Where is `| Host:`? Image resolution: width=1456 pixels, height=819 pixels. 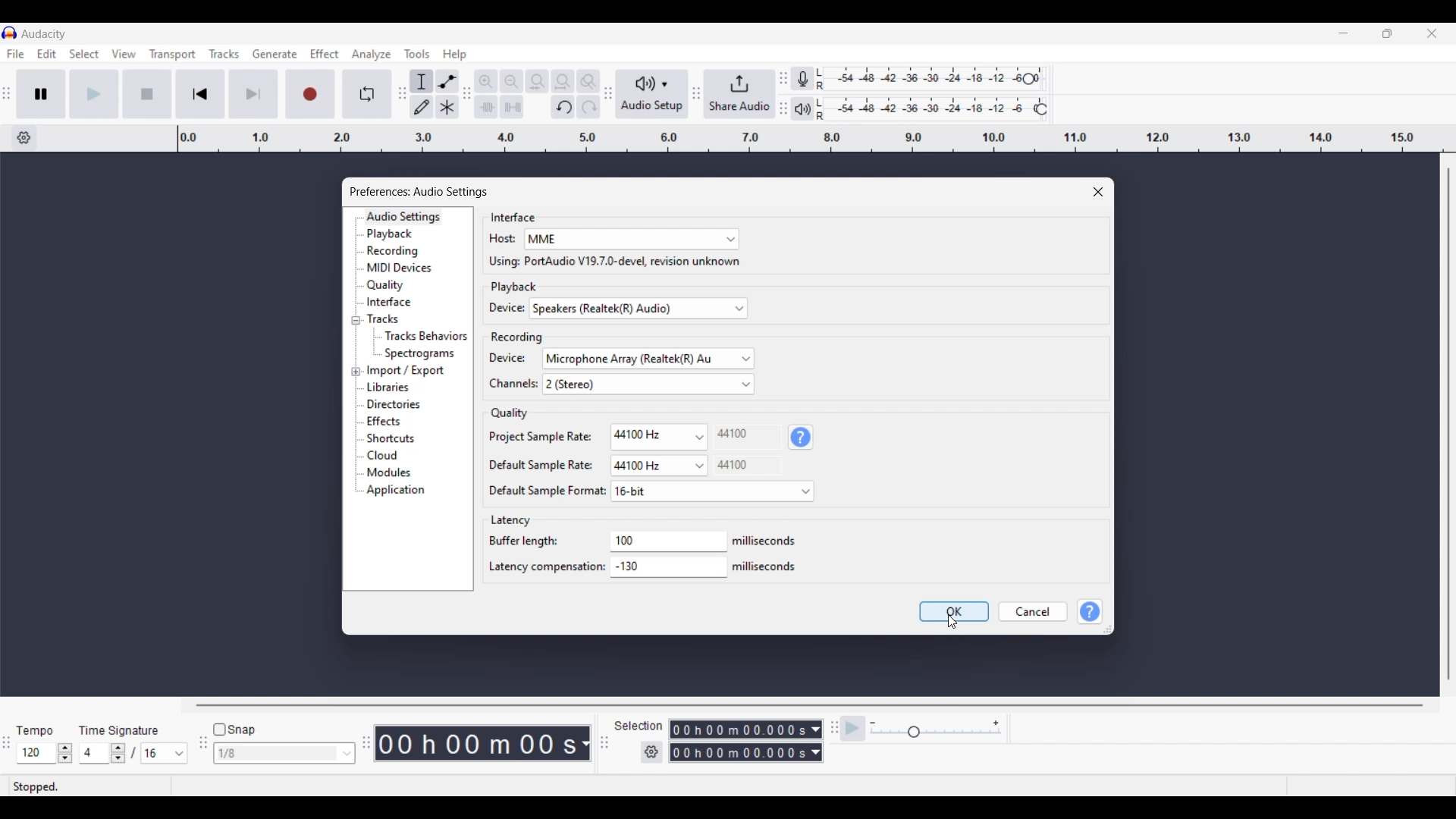
| Host: is located at coordinates (494, 240).